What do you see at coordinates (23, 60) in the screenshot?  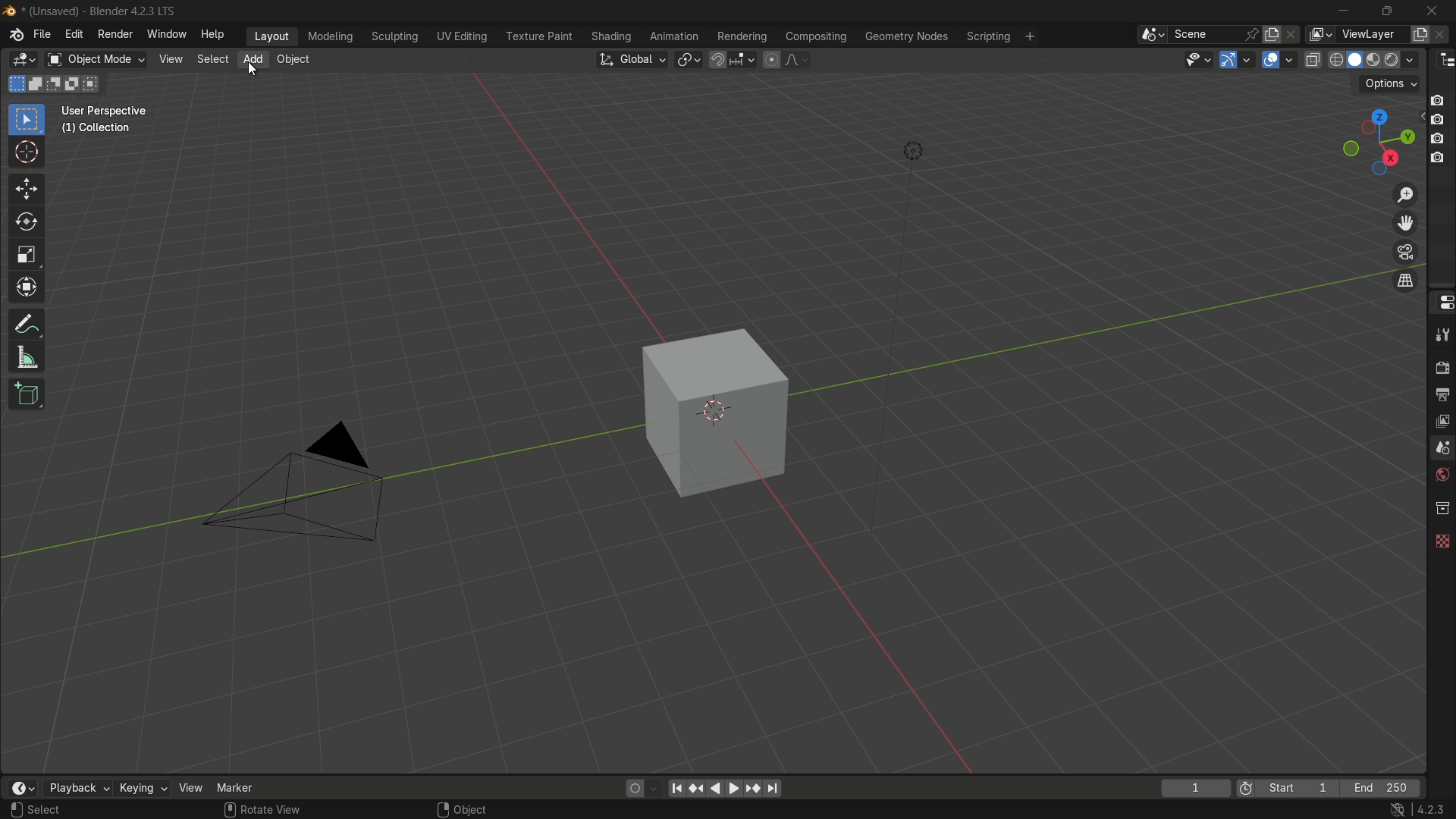 I see `3d viewport` at bounding box center [23, 60].